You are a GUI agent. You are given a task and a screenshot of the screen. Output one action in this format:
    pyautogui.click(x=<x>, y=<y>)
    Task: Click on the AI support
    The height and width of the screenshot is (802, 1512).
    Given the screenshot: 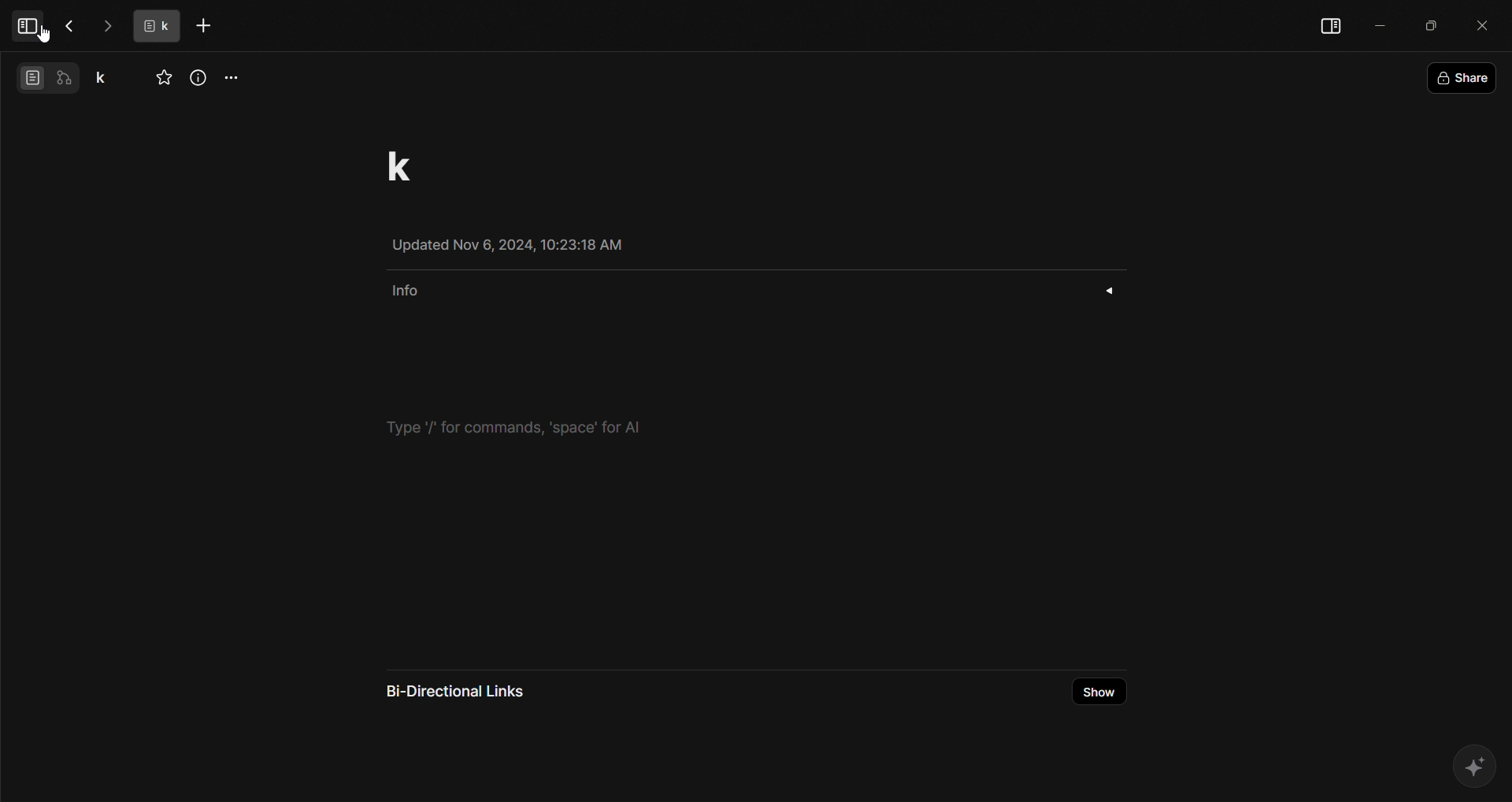 What is the action you would take?
    pyautogui.click(x=1476, y=769)
    